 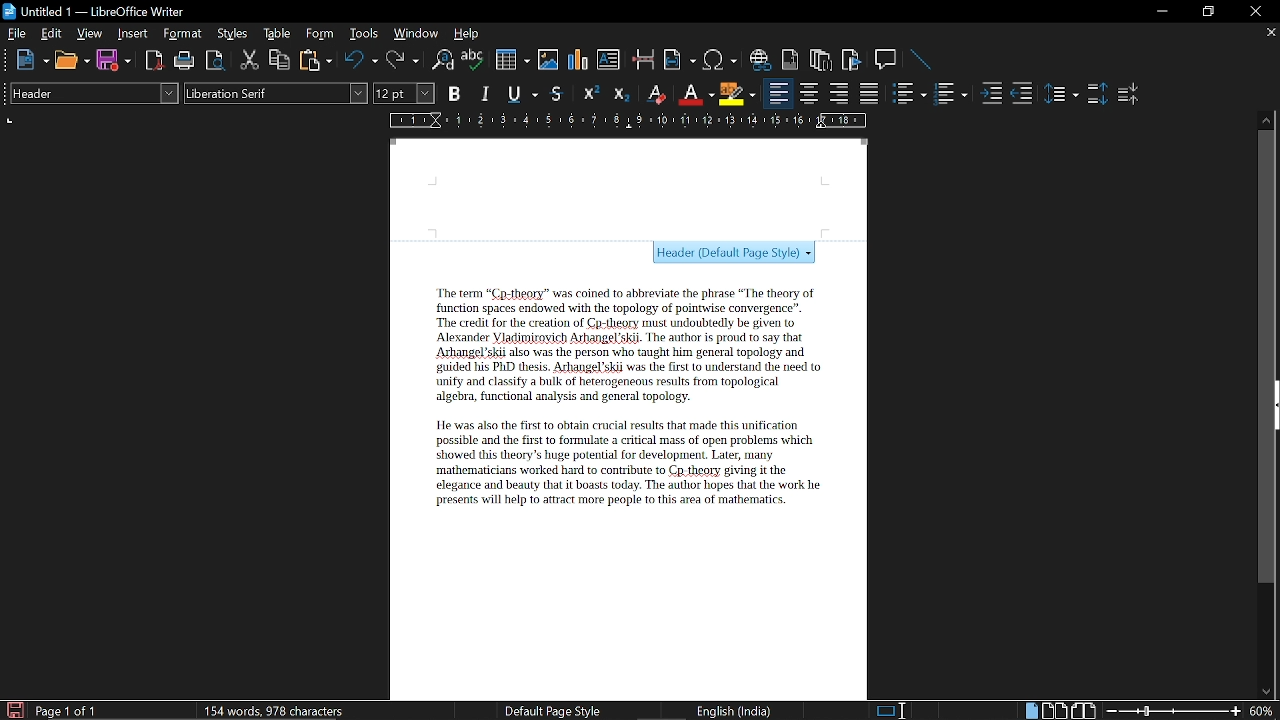 I want to click on vertical scrollbar, so click(x=1263, y=357).